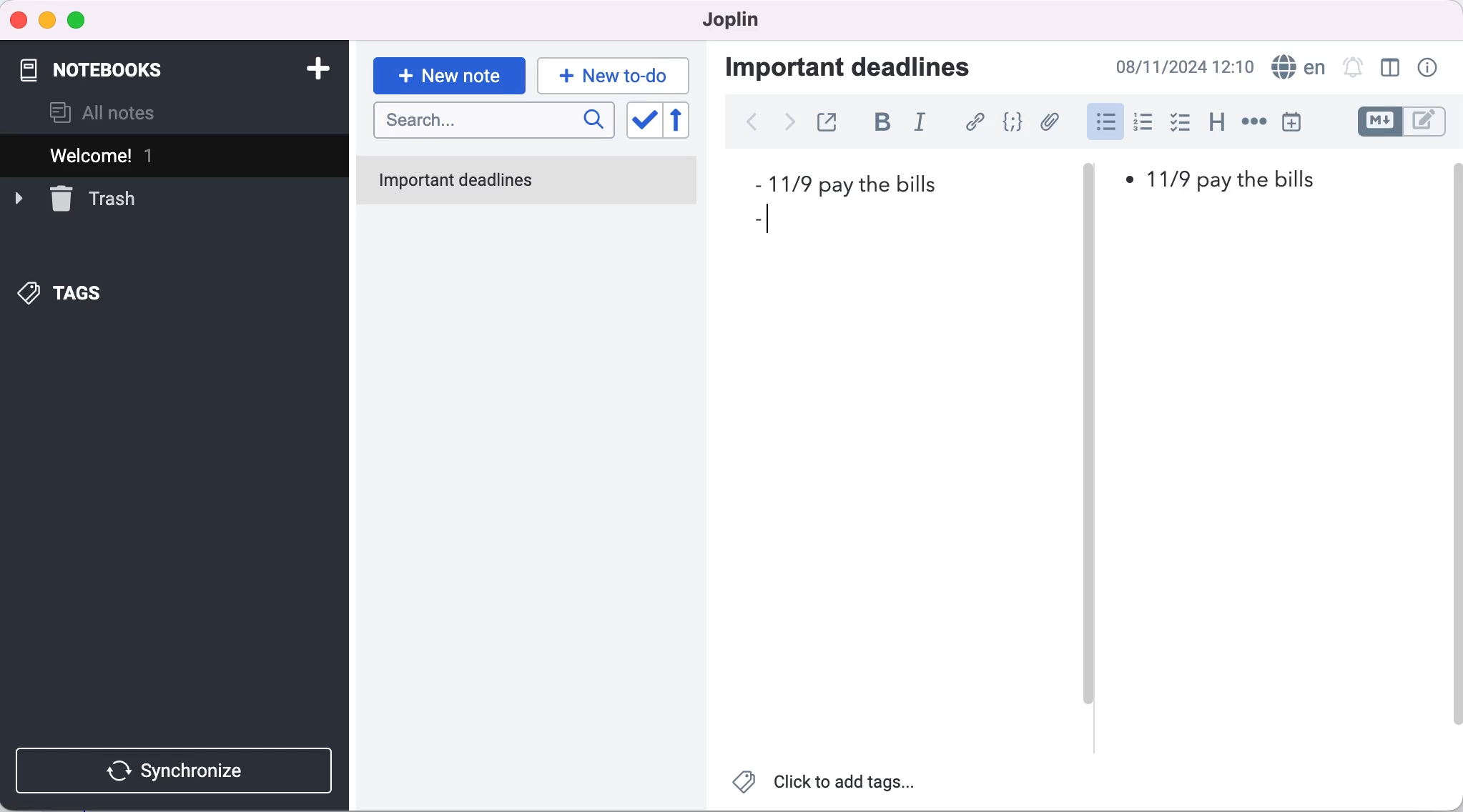 The image size is (1463, 812). What do you see at coordinates (1224, 180) in the screenshot?
I see `deadline 2` at bounding box center [1224, 180].